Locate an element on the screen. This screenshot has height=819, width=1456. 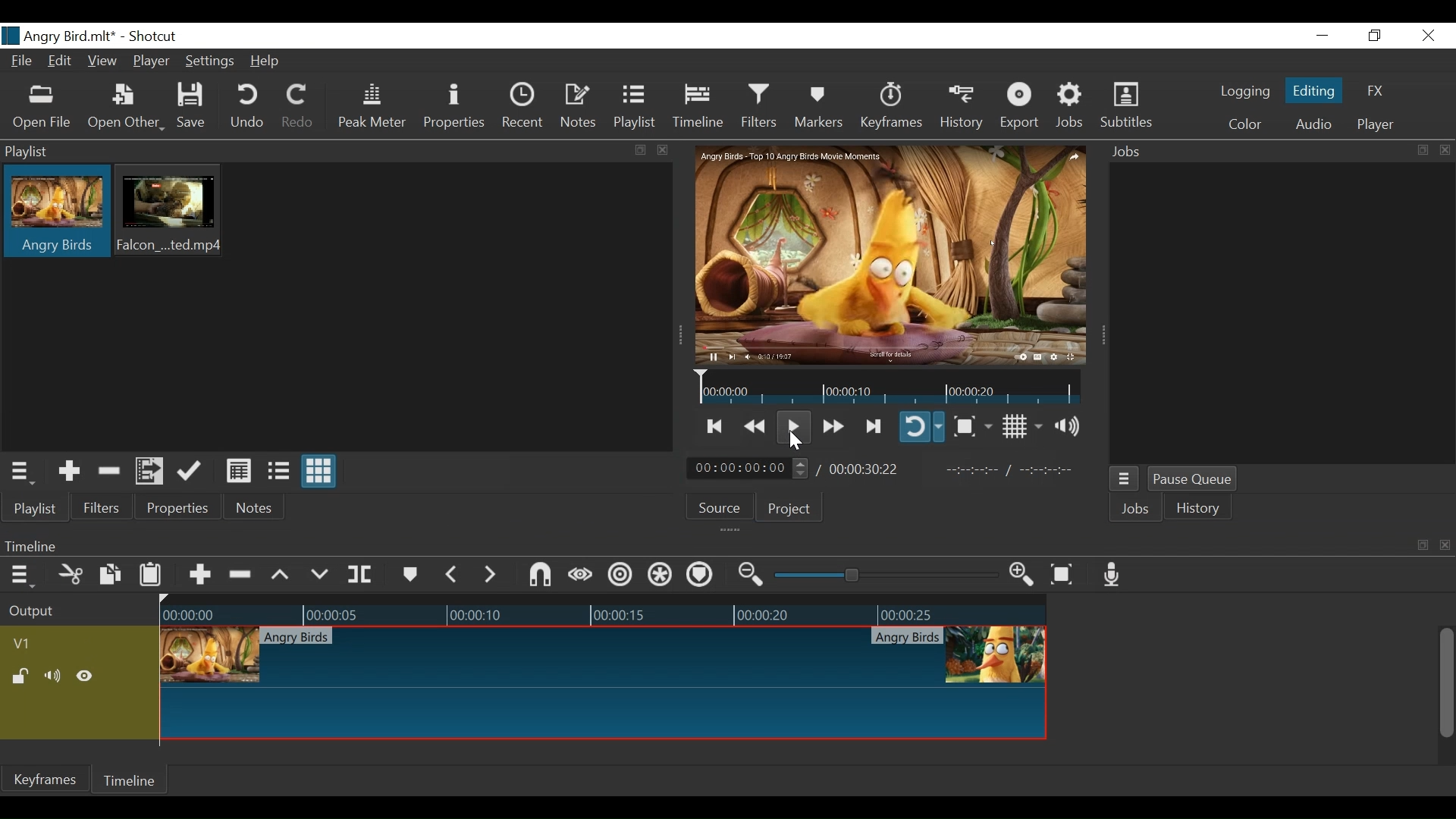
Toggle player looping is located at coordinates (921, 428).